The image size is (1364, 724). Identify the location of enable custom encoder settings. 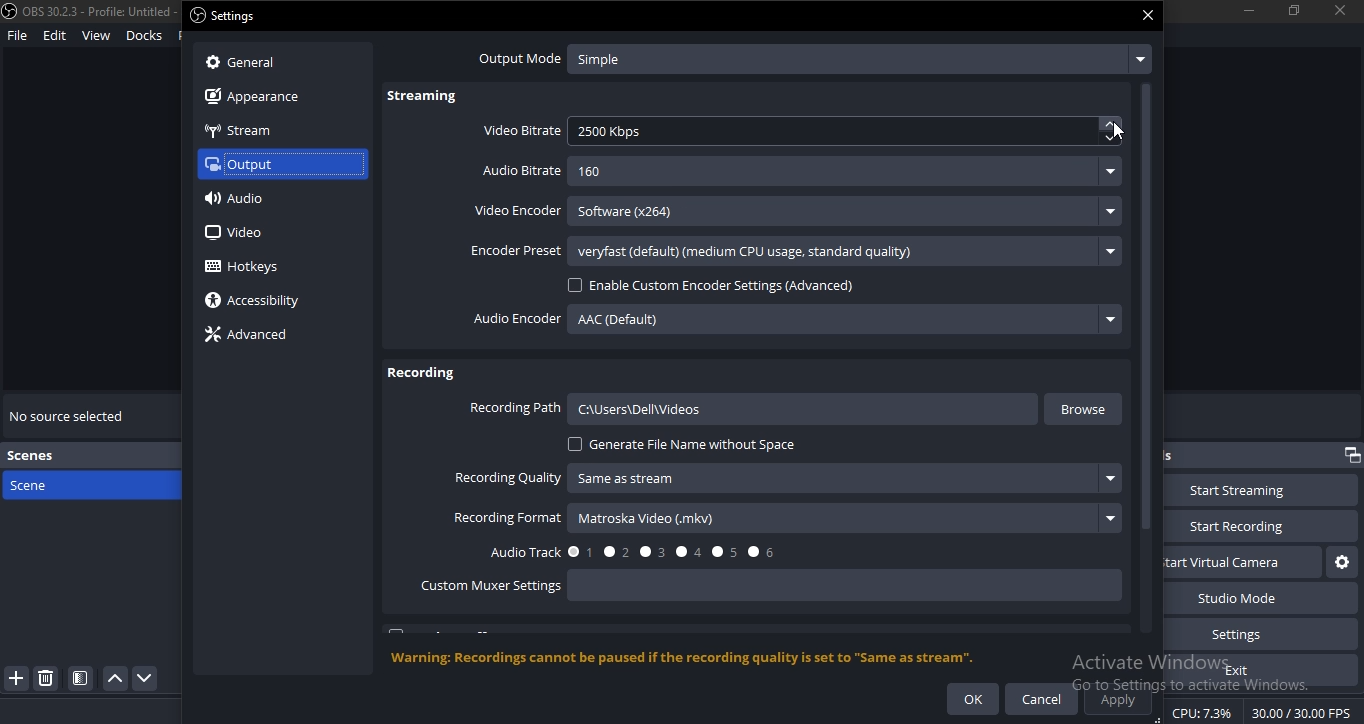
(718, 285).